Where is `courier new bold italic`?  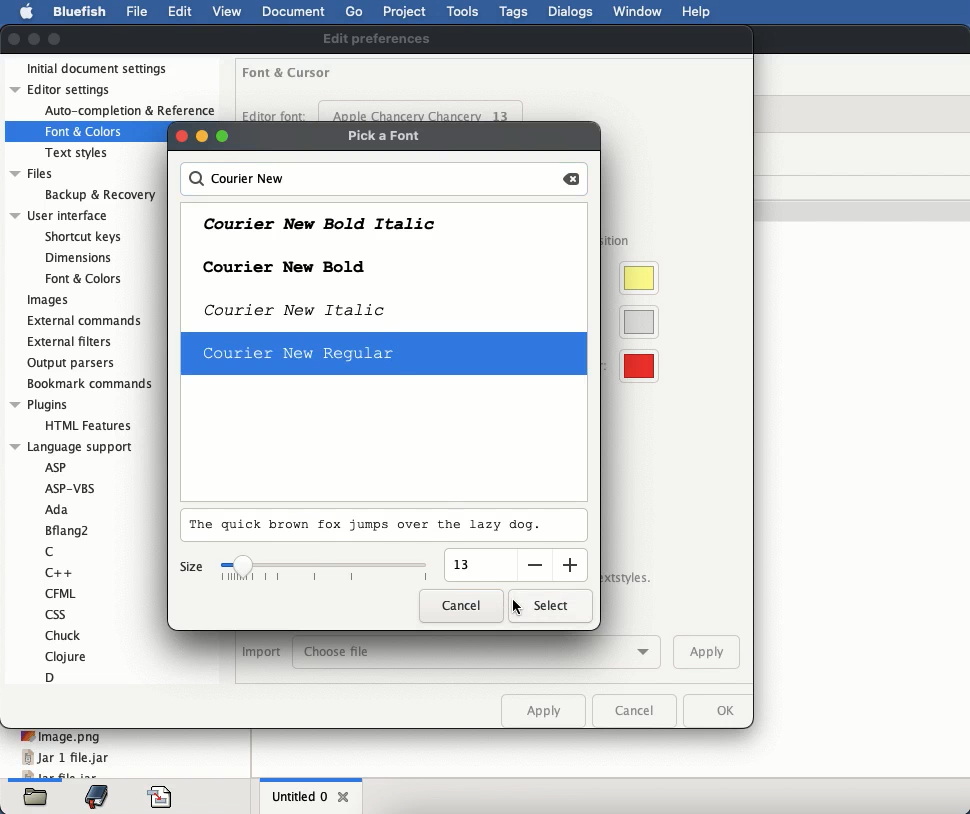 courier new bold italic is located at coordinates (321, 223).